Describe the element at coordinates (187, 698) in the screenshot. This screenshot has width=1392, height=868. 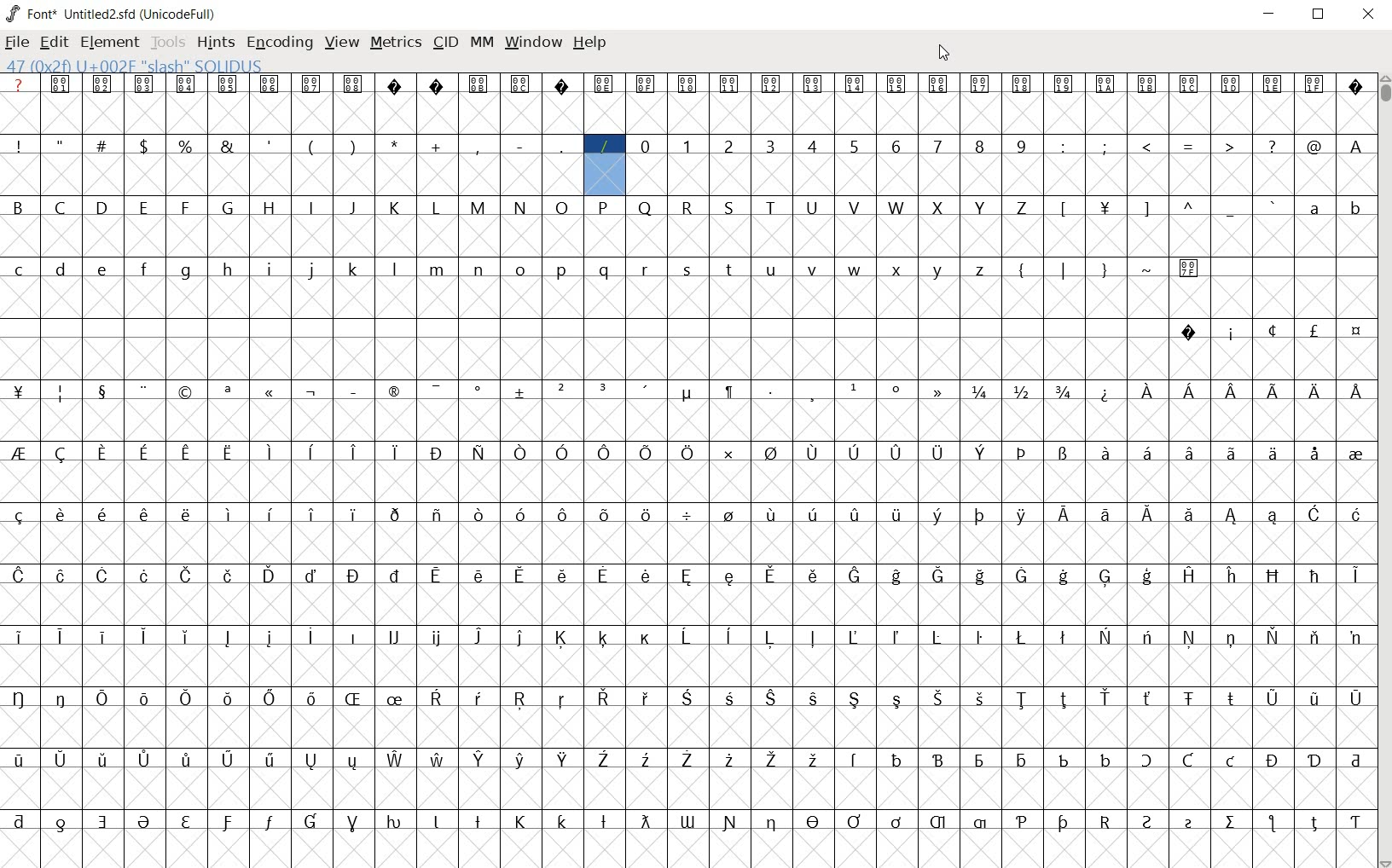
I see `glyph` at that location.